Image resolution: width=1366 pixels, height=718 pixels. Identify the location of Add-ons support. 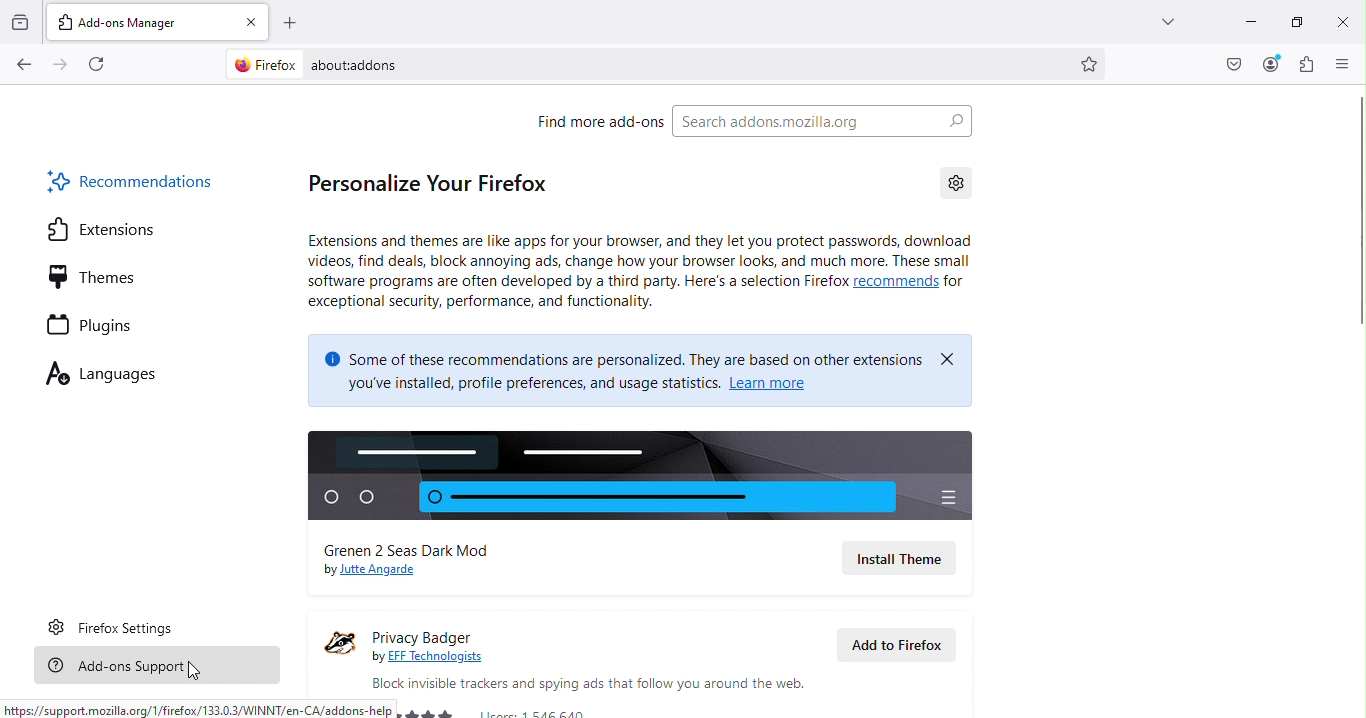
(163, 668).